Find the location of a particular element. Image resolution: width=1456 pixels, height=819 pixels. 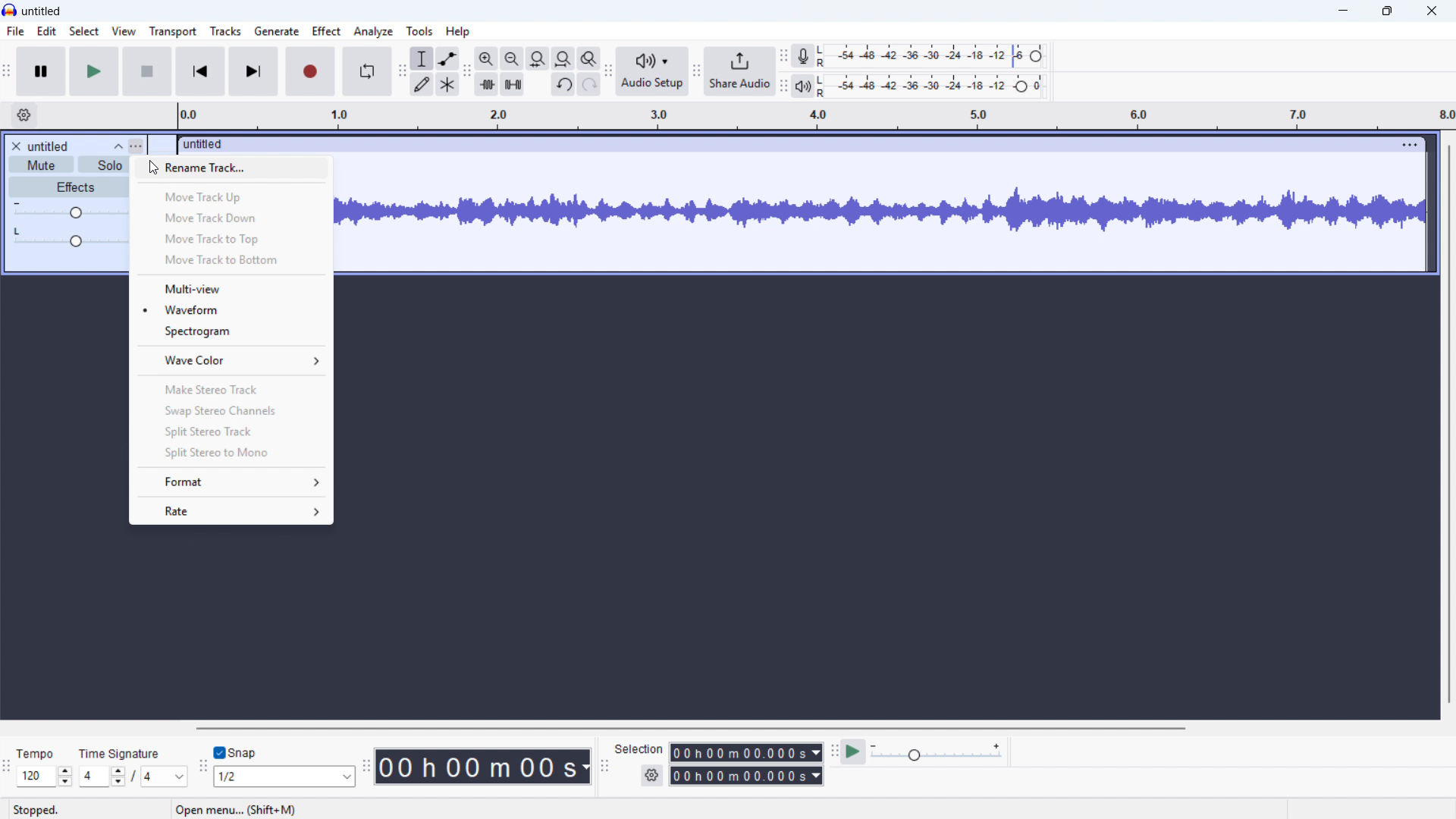

untitled is located at coordinates (49, 146).